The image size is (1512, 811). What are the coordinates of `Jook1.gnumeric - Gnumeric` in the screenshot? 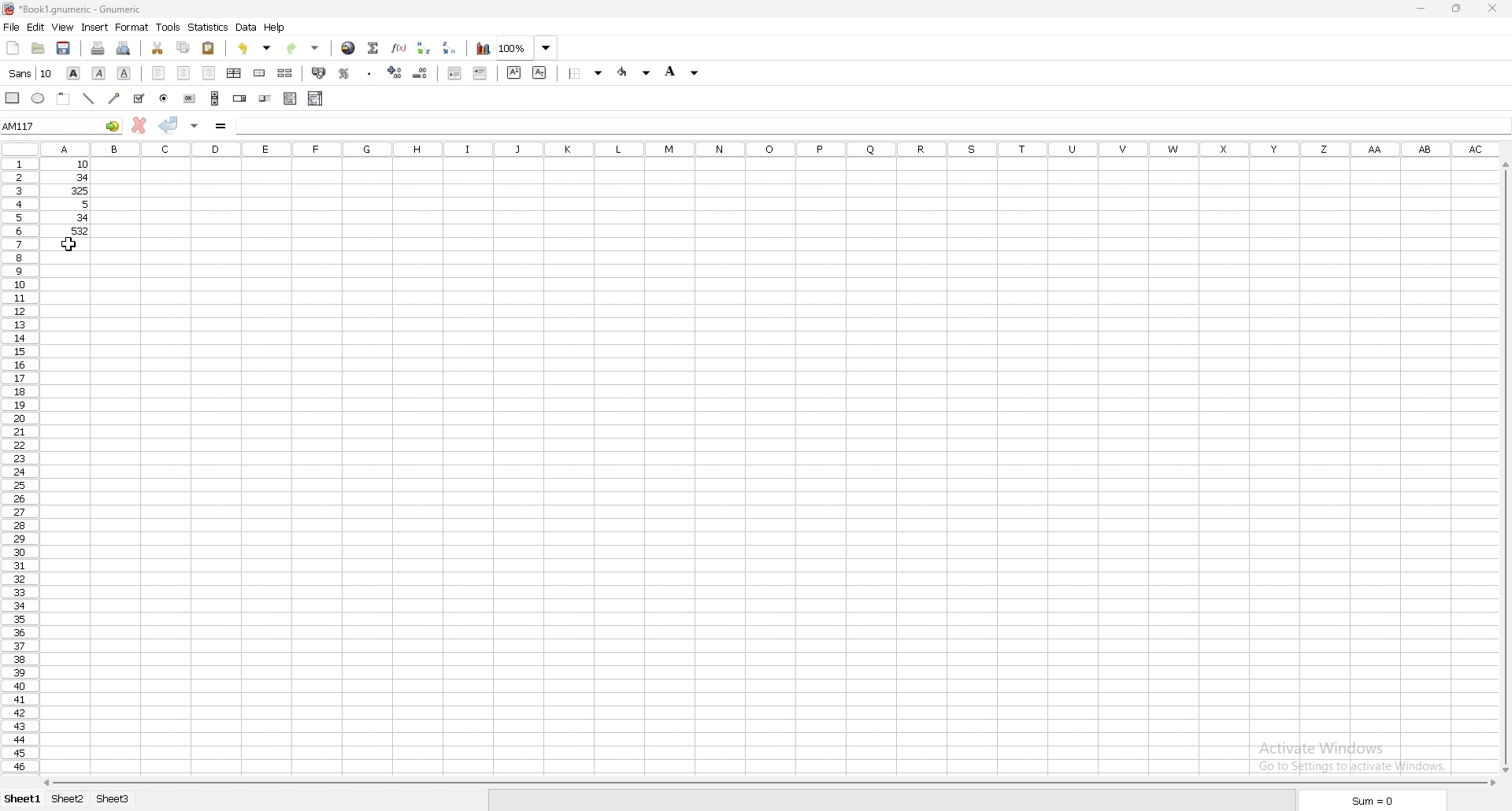 It's located at (89, 10).